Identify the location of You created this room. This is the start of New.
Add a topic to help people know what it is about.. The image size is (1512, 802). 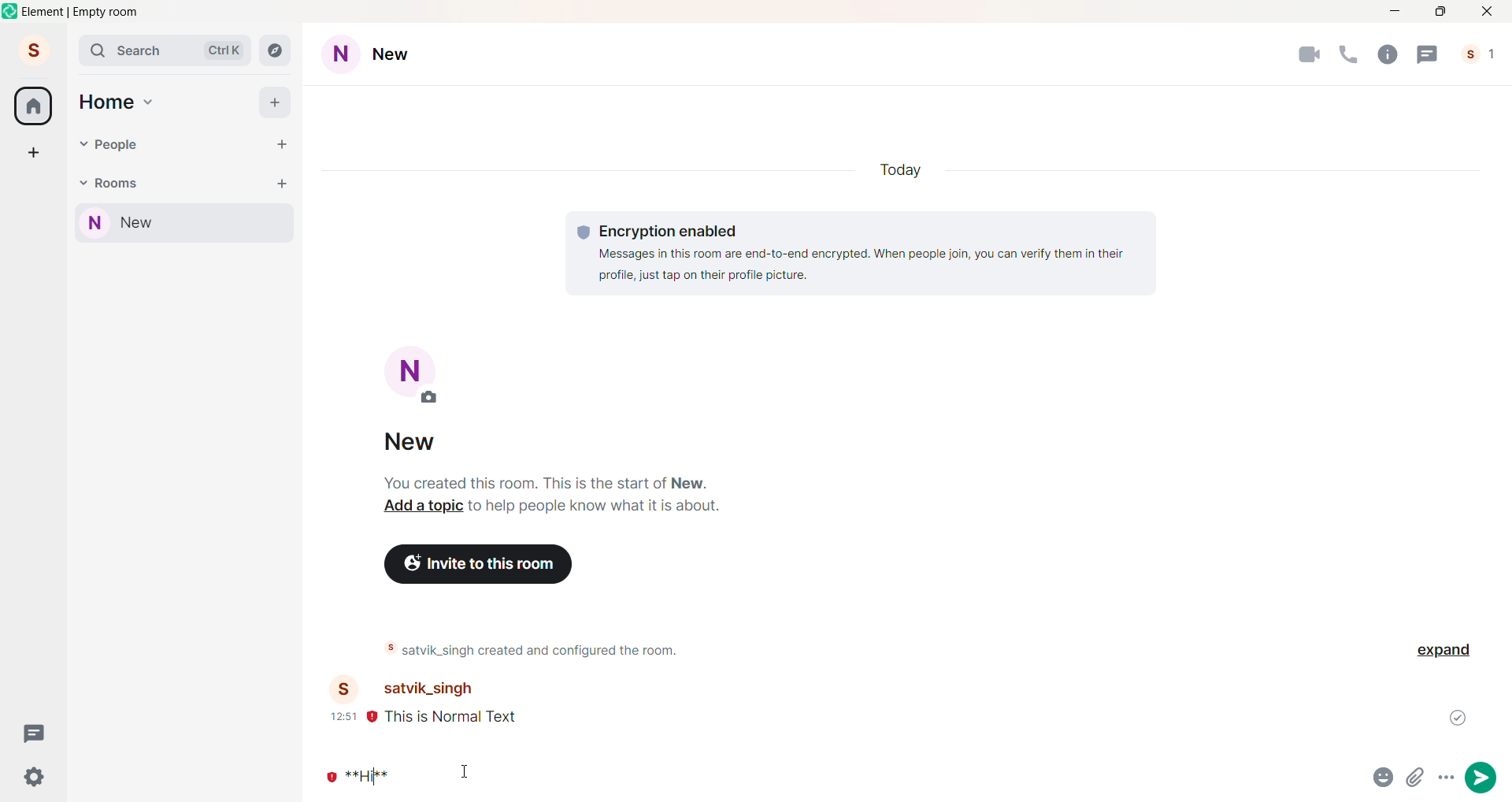
(550, 495).